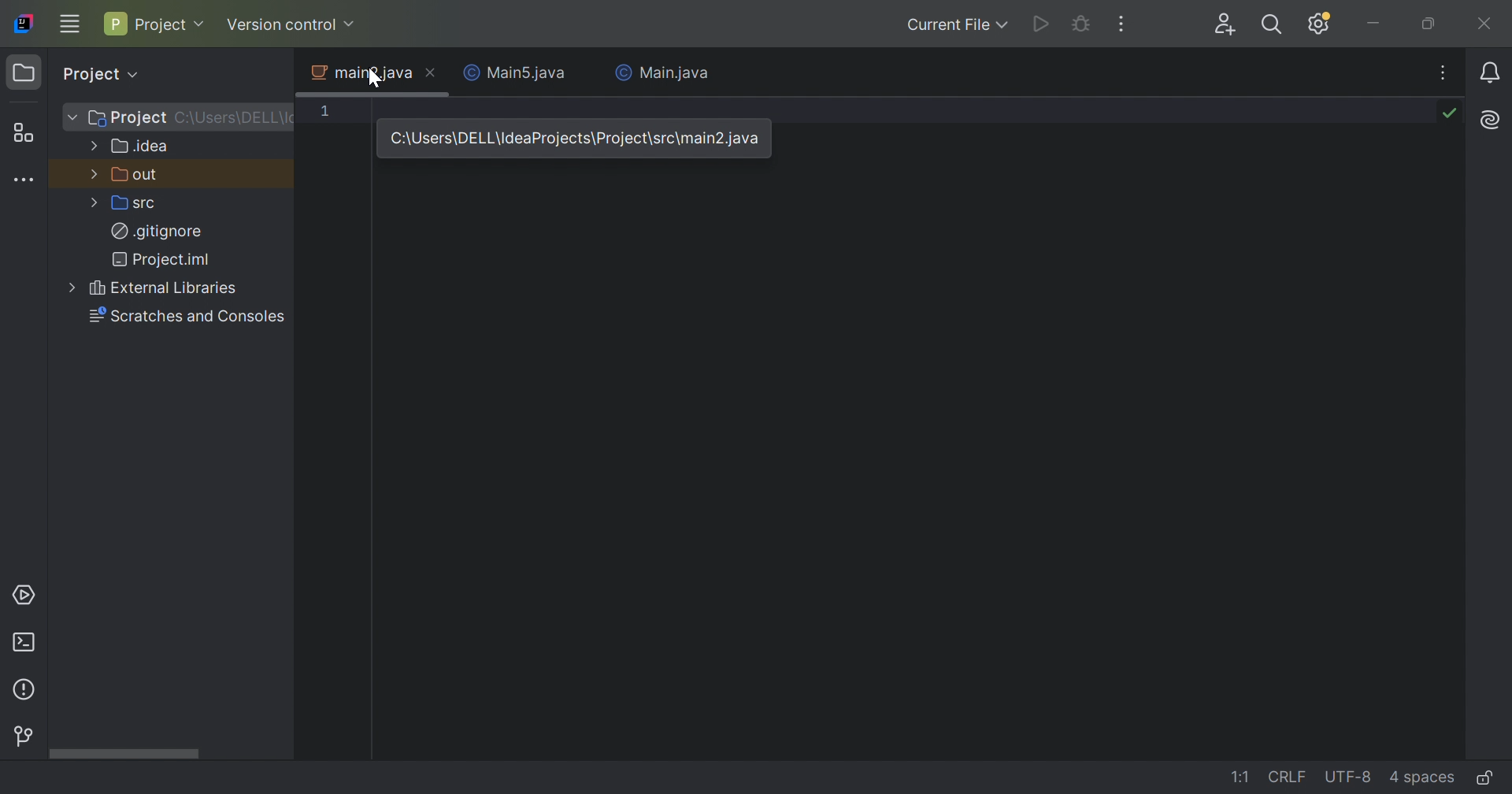  Describe the element at coordinates (1347, 777) in the screenshot. I see `UTF-8` at that location.